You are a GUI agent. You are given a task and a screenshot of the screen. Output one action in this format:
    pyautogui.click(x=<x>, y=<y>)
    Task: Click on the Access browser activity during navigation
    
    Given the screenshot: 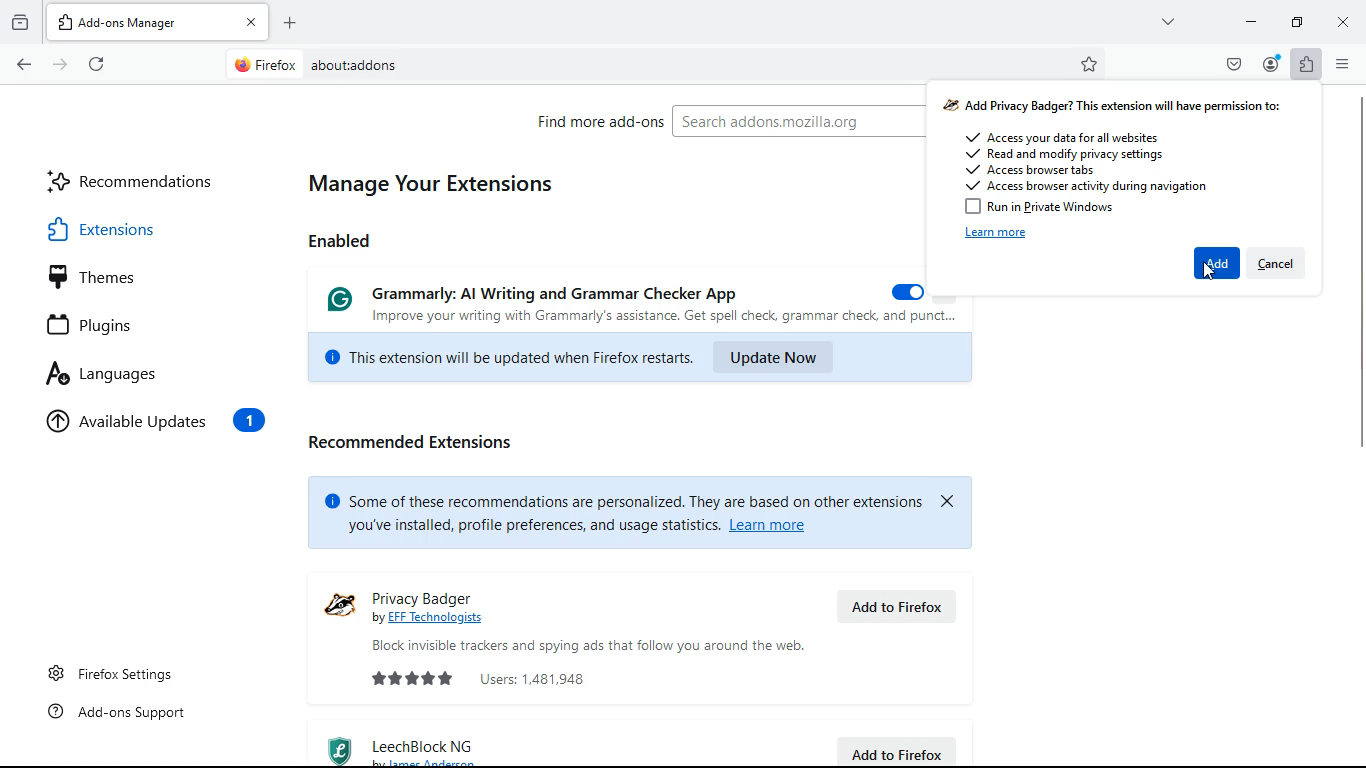 What is the action you would take?
    pyautogui.click(x=1094, y=187)
    